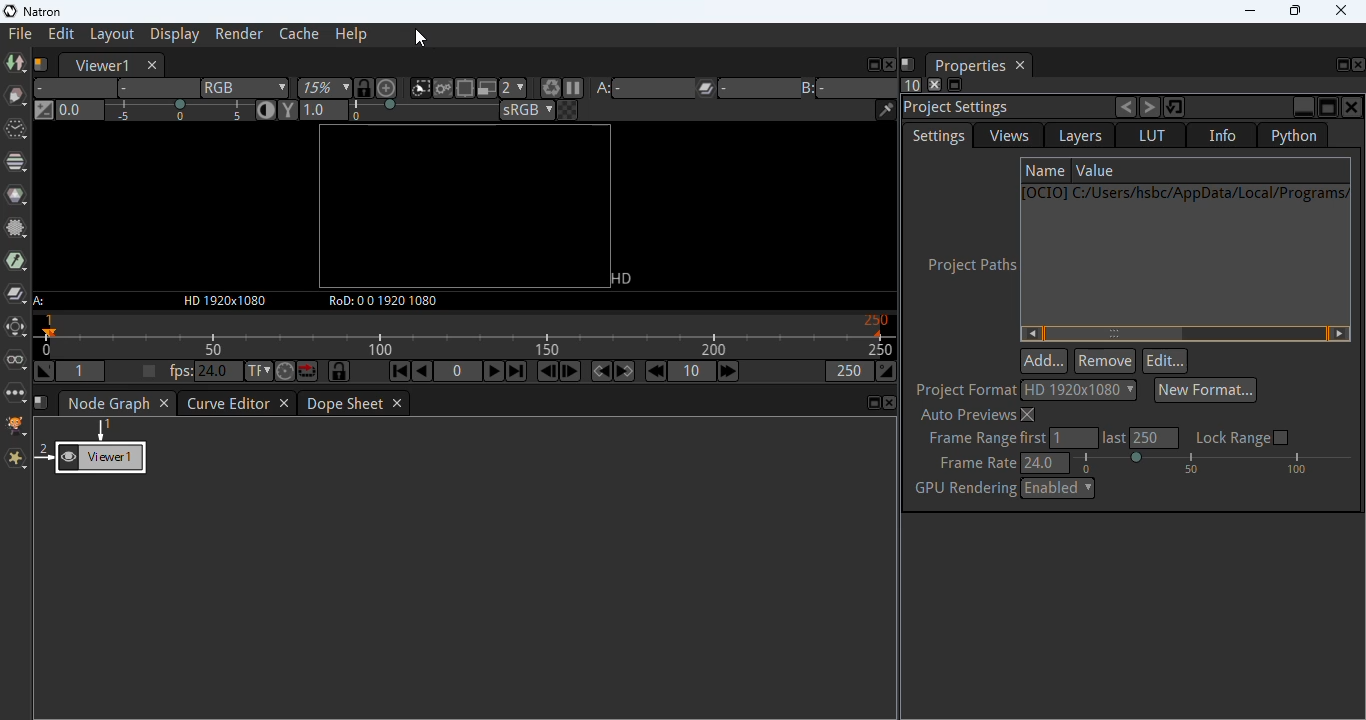  I want to click on close pane, so click(1353, 108).